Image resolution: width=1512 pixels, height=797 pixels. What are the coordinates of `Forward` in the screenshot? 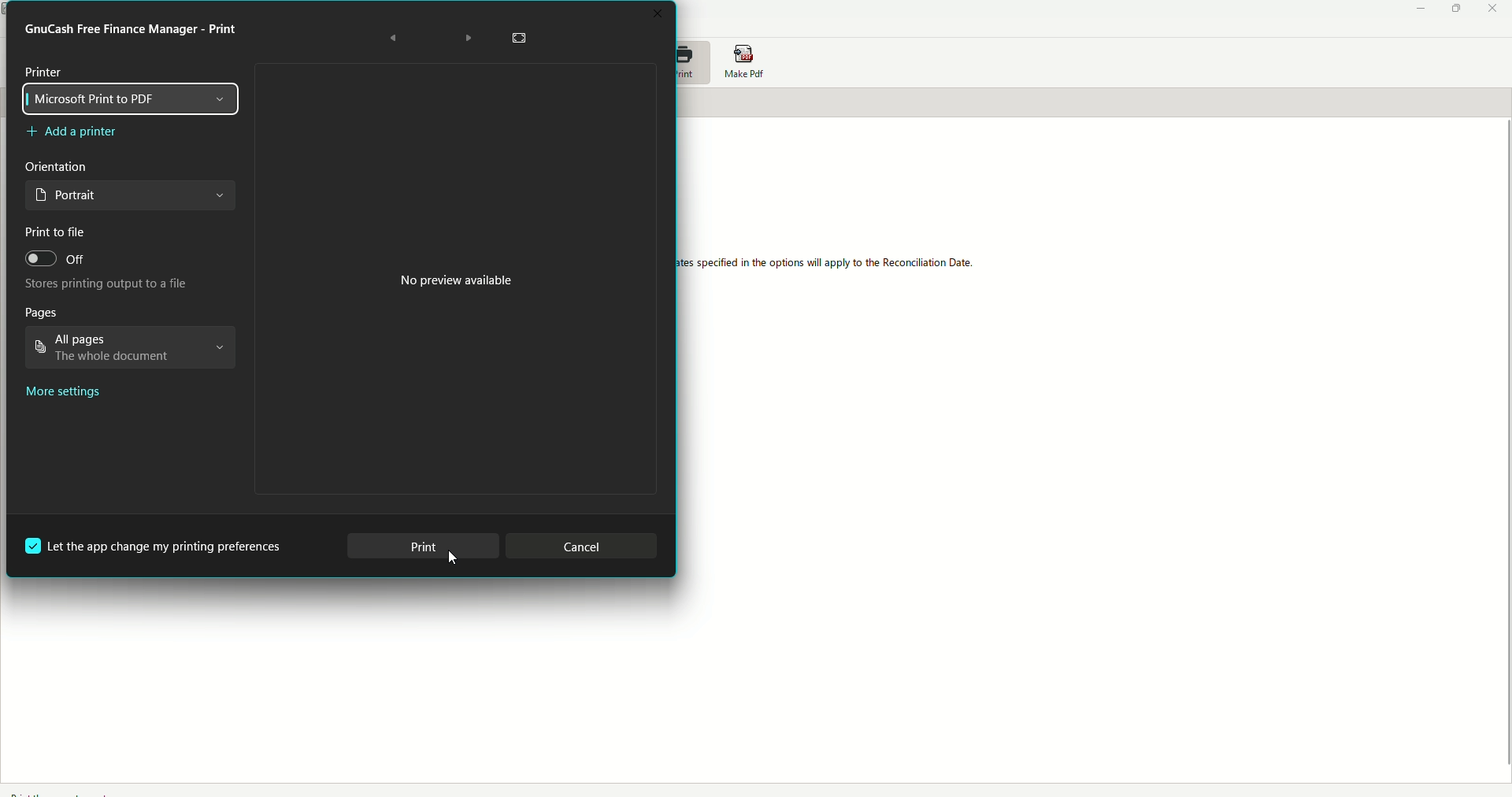 It's located at (468, 39).